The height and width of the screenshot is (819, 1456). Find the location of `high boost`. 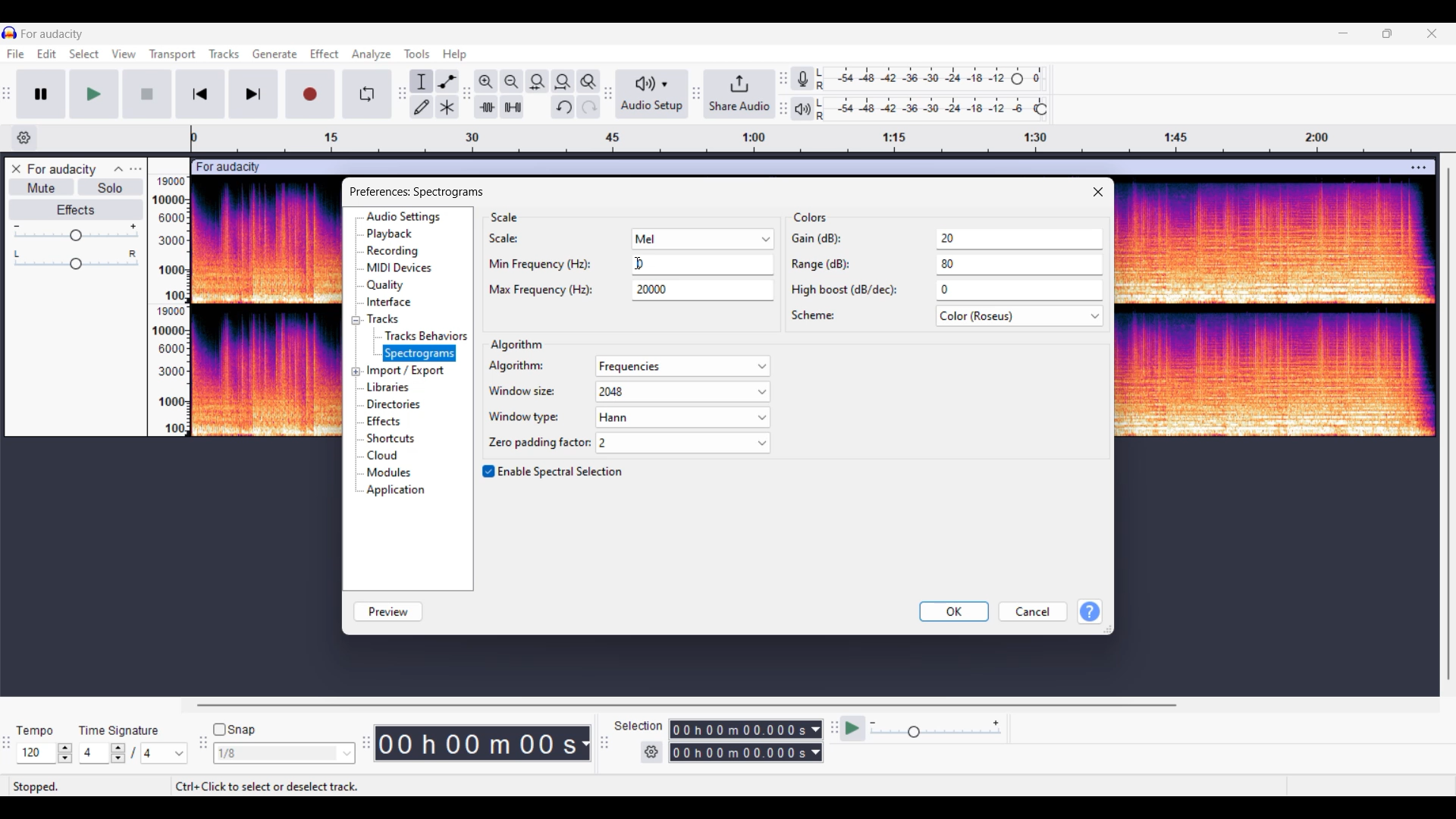

high boost is located at coordinates (945, 291).